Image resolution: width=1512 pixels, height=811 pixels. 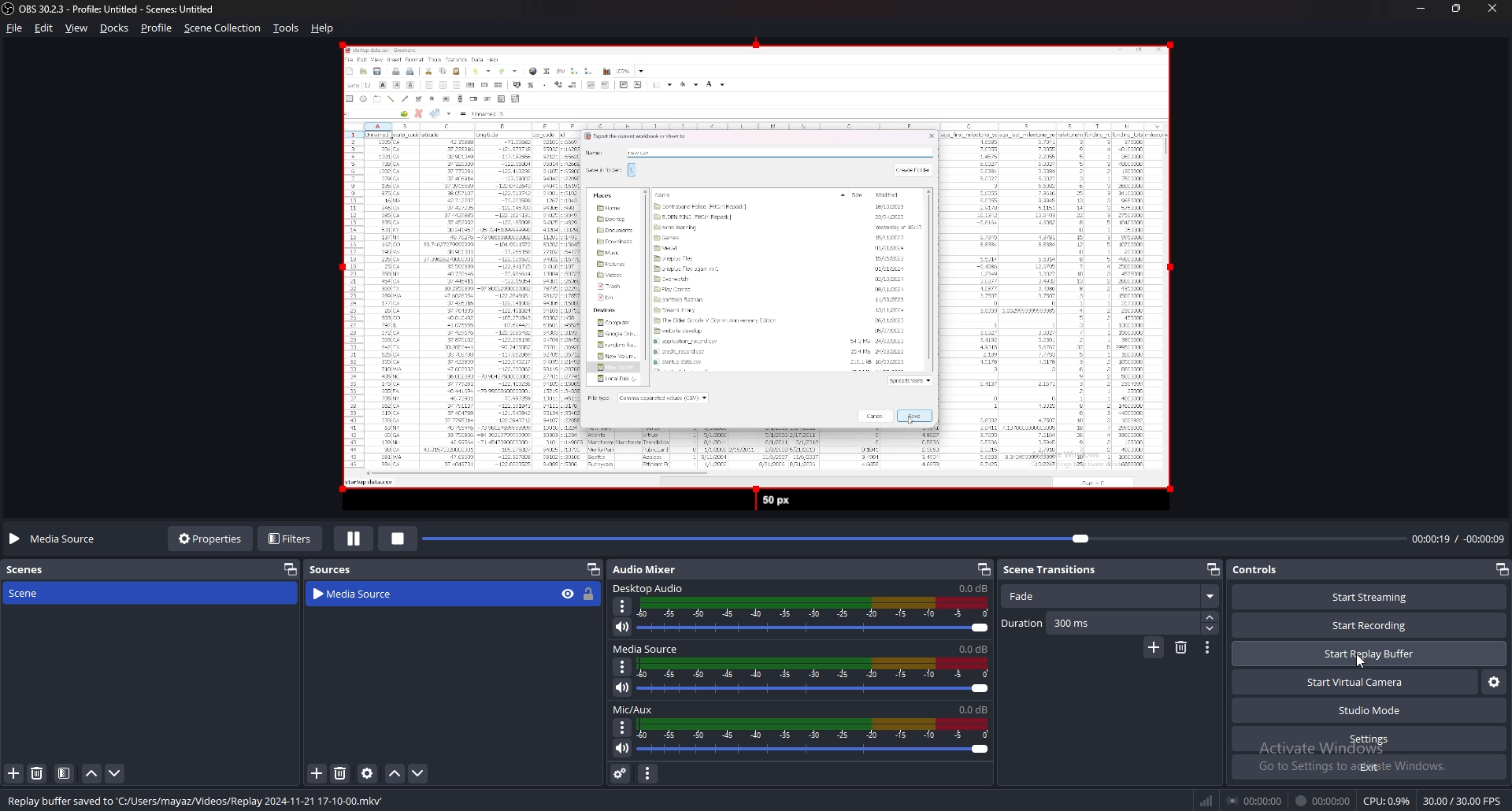 I want to click on ‘OBS 30.2.3 - Profile: Untitled - Scenes: Untitled, so click(x=123, y=9).